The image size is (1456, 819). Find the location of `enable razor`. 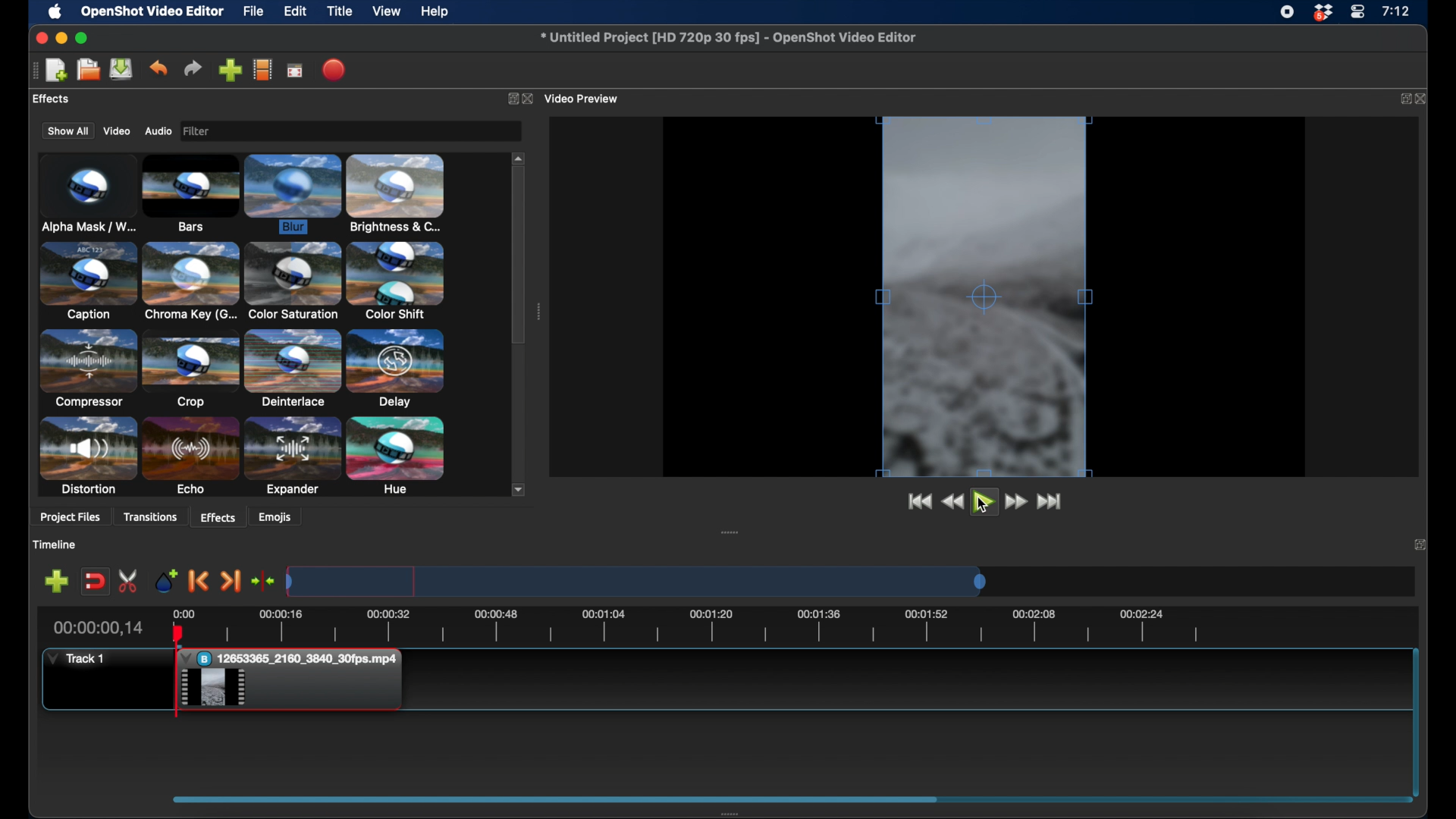

enable razor is located at coordinates (129, 580).